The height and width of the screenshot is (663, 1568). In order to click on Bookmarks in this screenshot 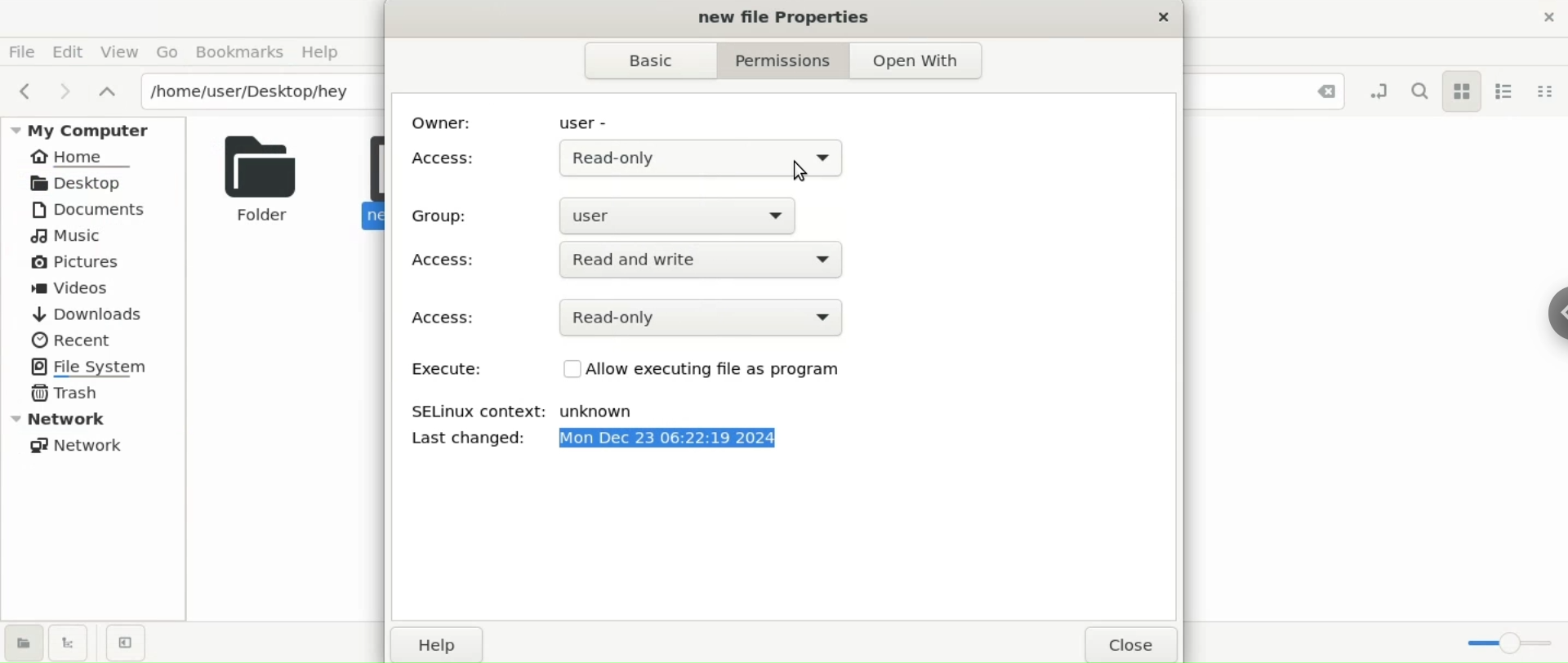, I will do `click(238, 52)`.